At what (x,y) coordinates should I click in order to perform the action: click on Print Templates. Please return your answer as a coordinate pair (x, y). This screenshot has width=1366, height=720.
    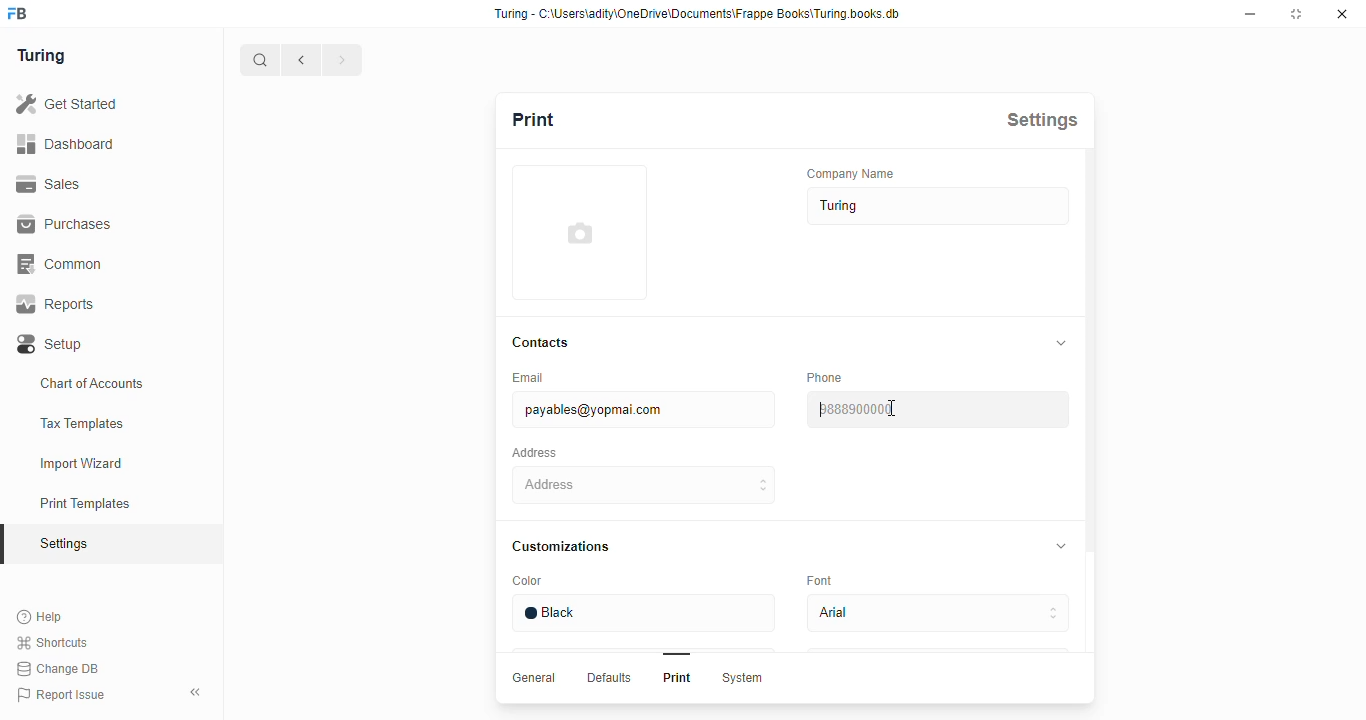
    Looking at the image, I should click on (93, 504).